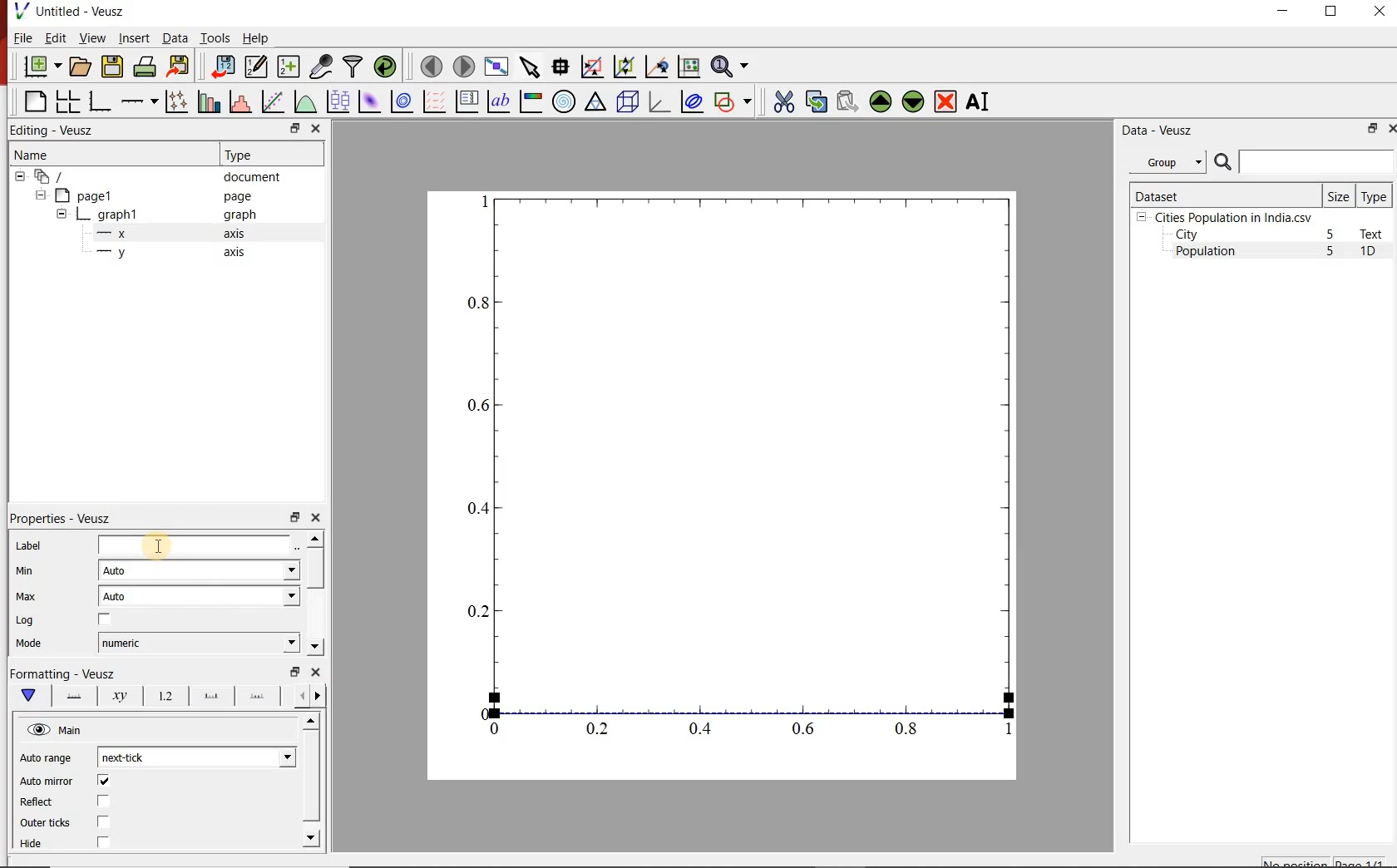 The height and width of the screenshot is (868, 1397). What do you see at coordinates (238, 101) in the screenshot?
I see `histogram of a dataset` at bounding box center [238, 101].